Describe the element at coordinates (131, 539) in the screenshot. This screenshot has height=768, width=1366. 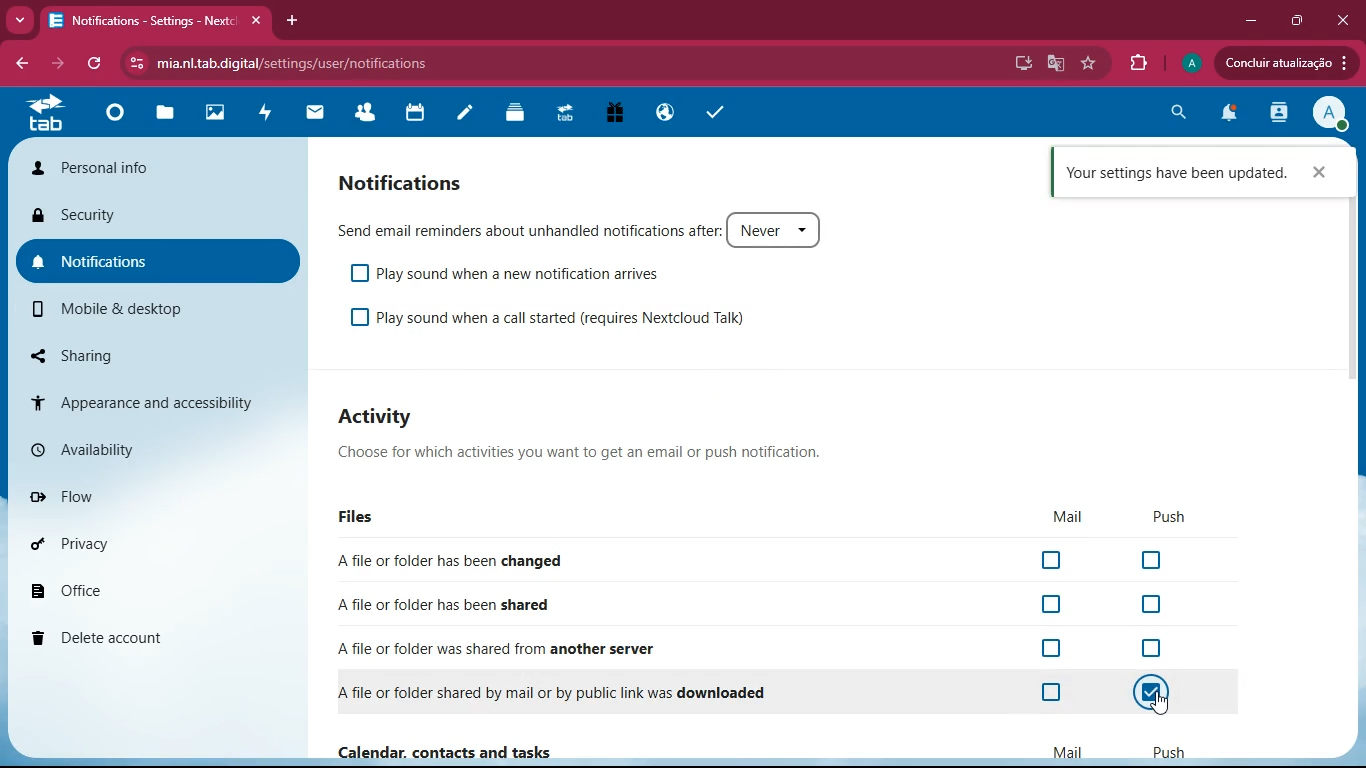
I see `privacy` at that location.